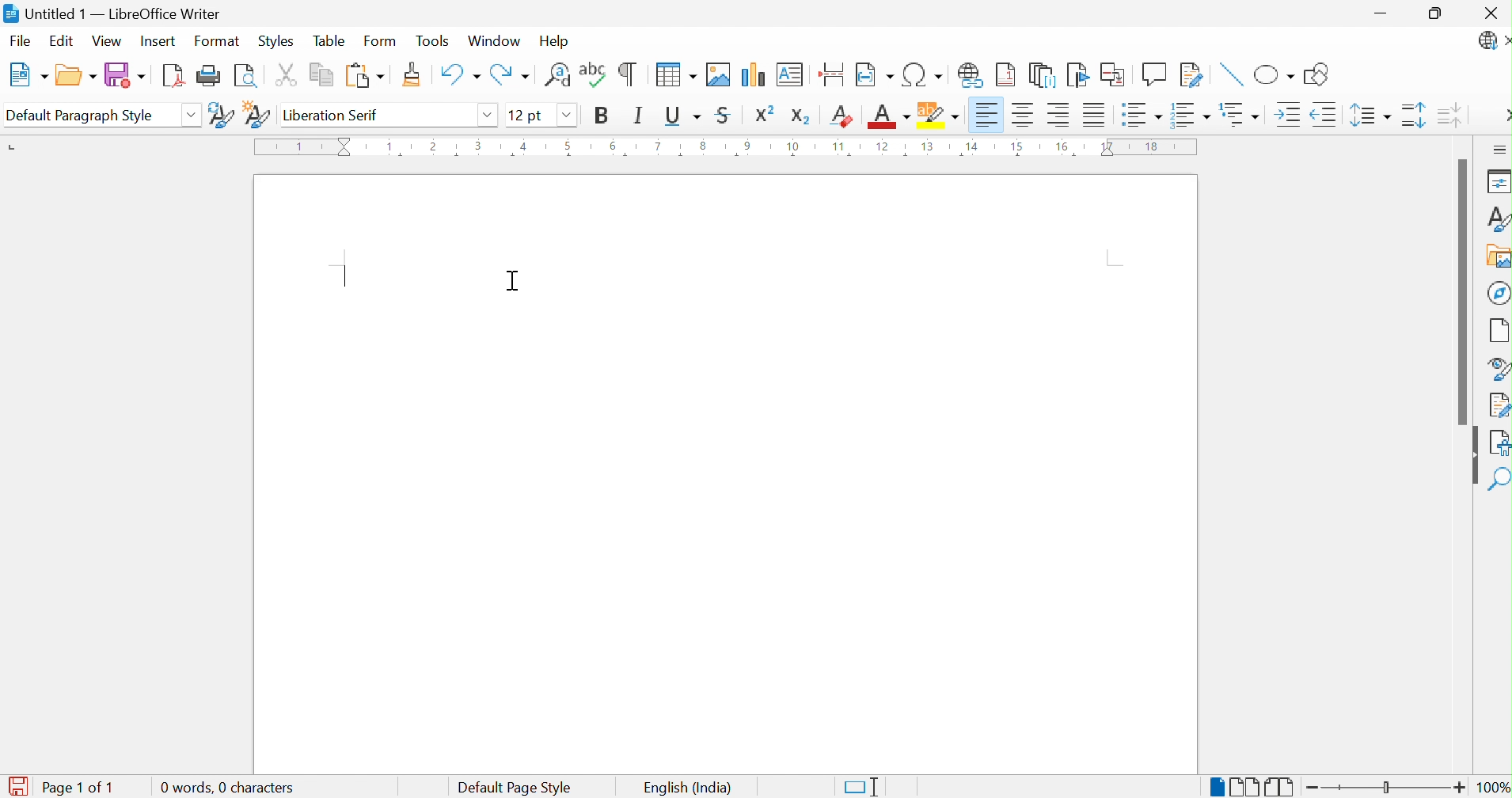  Describe the element at coordinates (787, 75) in the screenshot. I see `Insert Text Box` at that location.